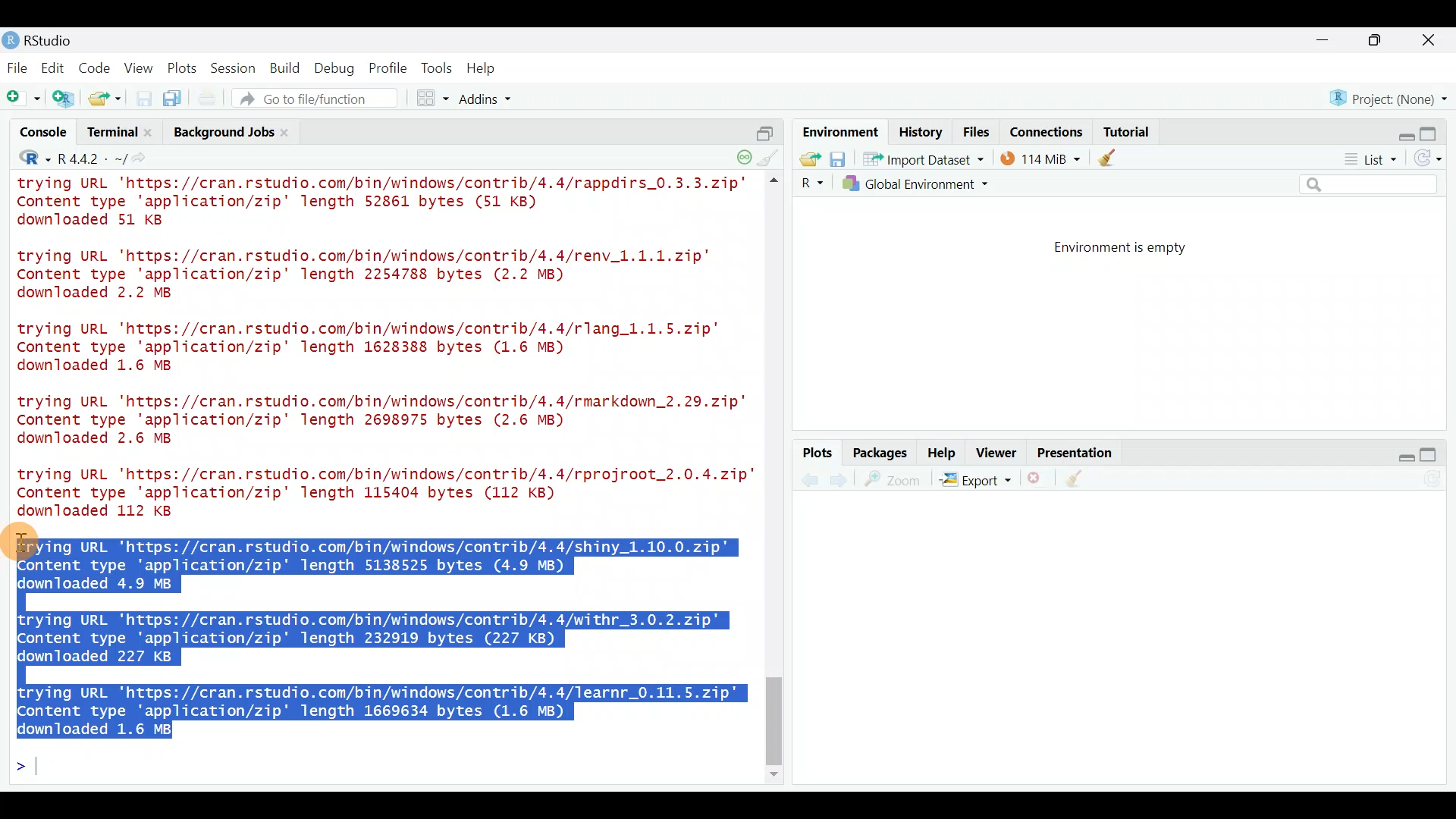  What do you see at coordinates (919, 159) in the screenshot?
I see `* Import Dataset *` at bounding box center [919, 159].